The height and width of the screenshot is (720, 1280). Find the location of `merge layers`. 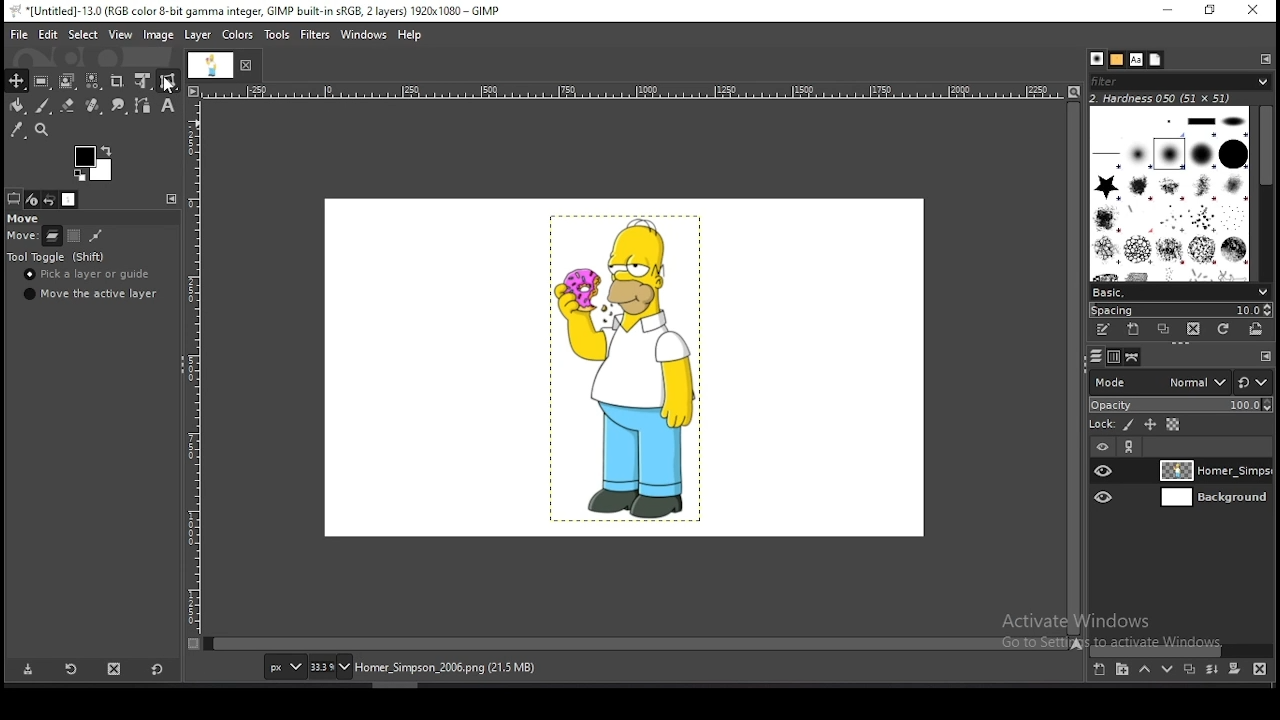

merge layers is located at coordinates (1212, 672).